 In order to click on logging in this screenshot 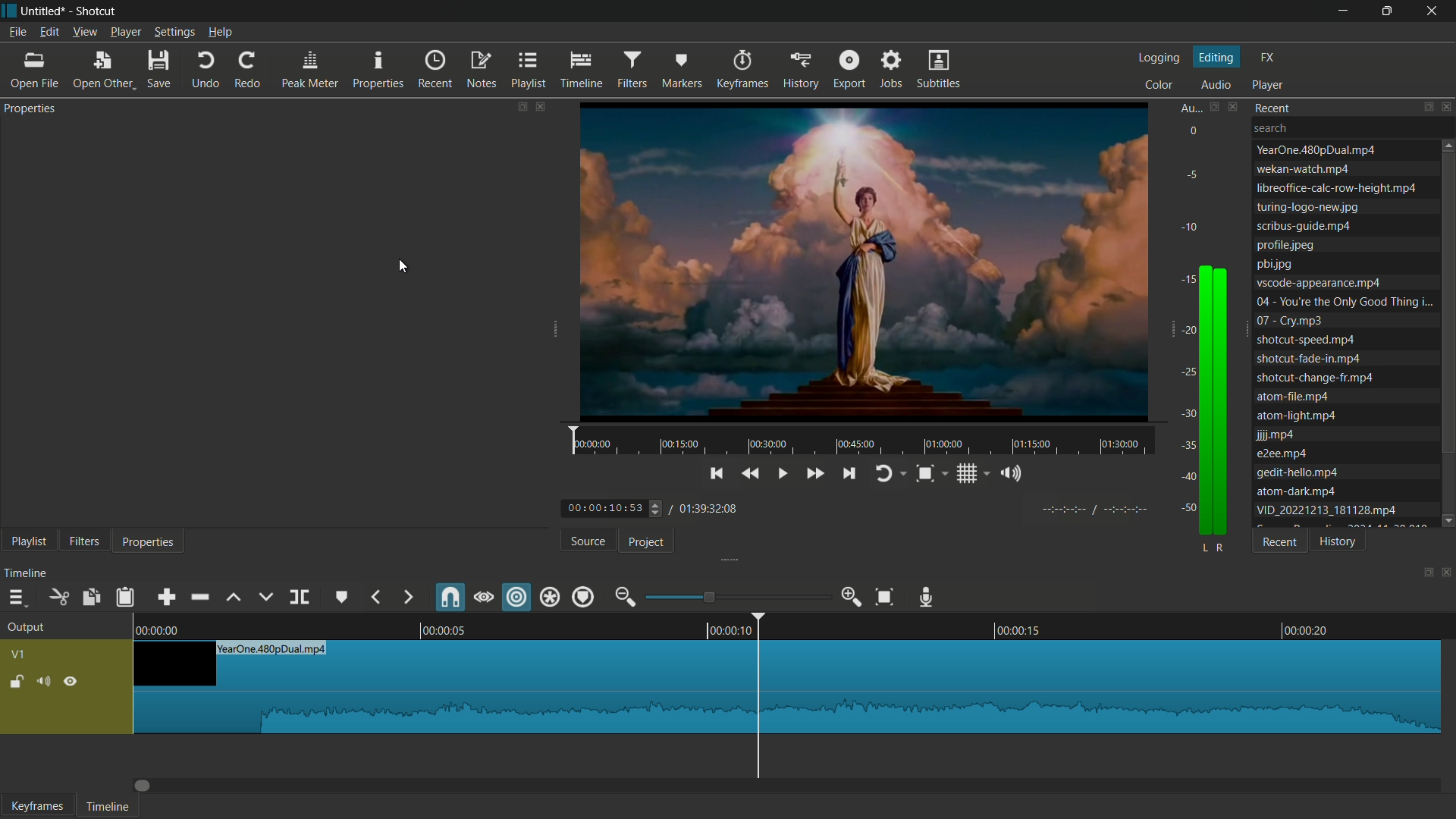, I will do `click(1160, 58)`.